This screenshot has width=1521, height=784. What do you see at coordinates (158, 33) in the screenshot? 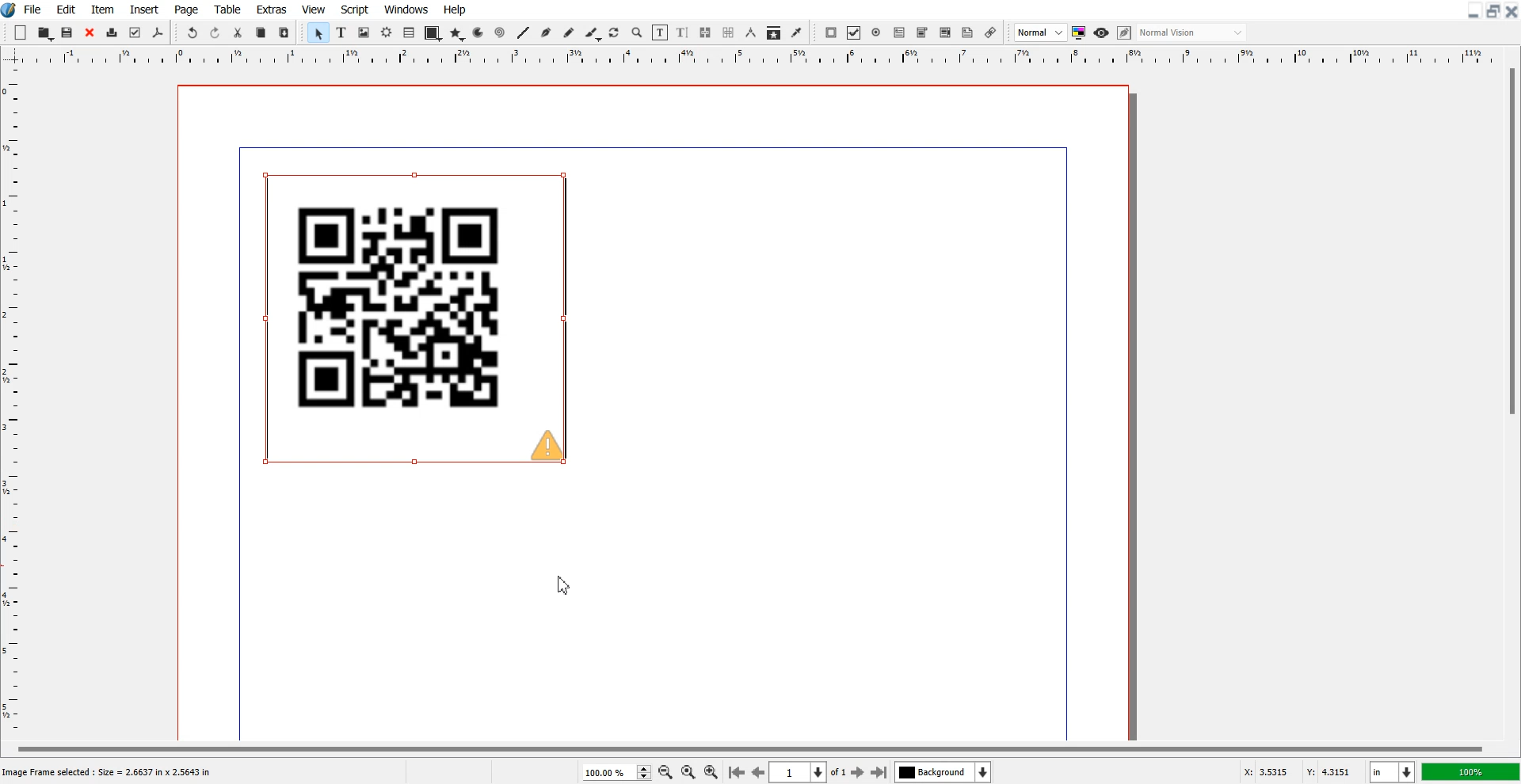
I see `Save As PDF` at bounding box center [158, 33].